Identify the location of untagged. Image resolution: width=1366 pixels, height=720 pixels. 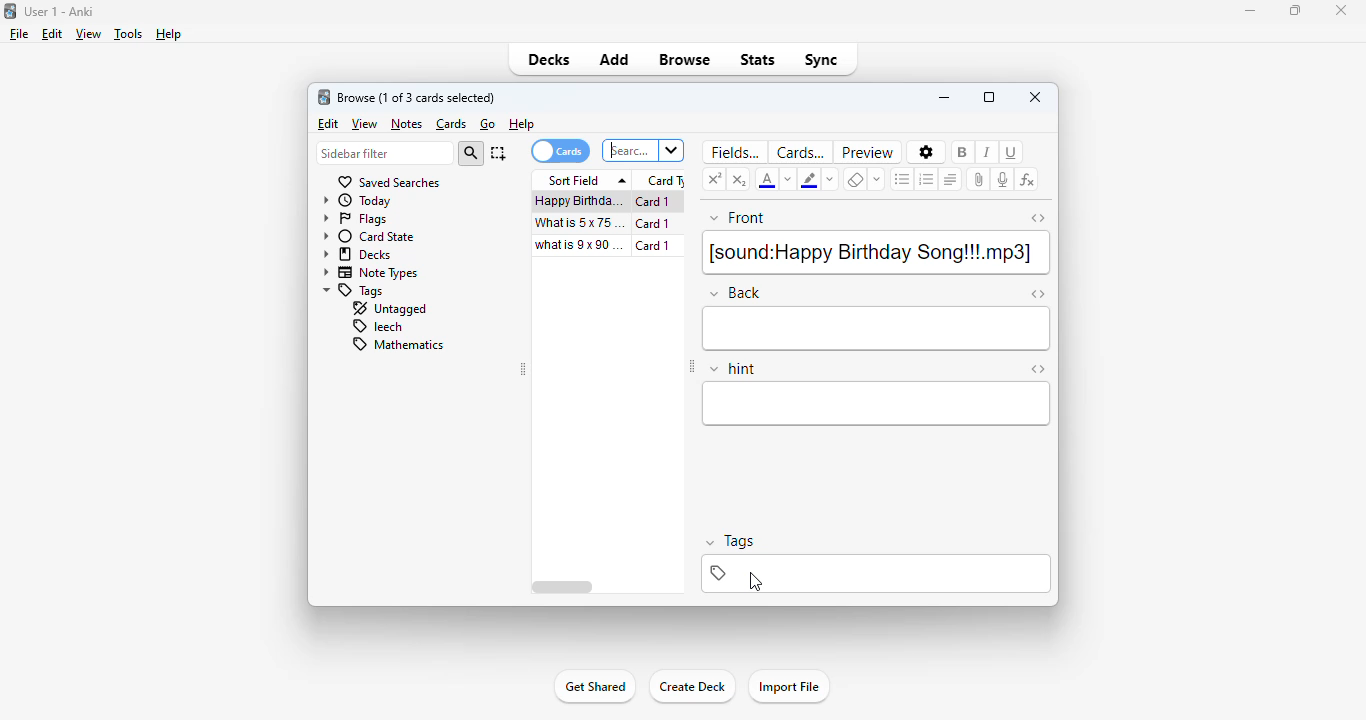
(388, 309).